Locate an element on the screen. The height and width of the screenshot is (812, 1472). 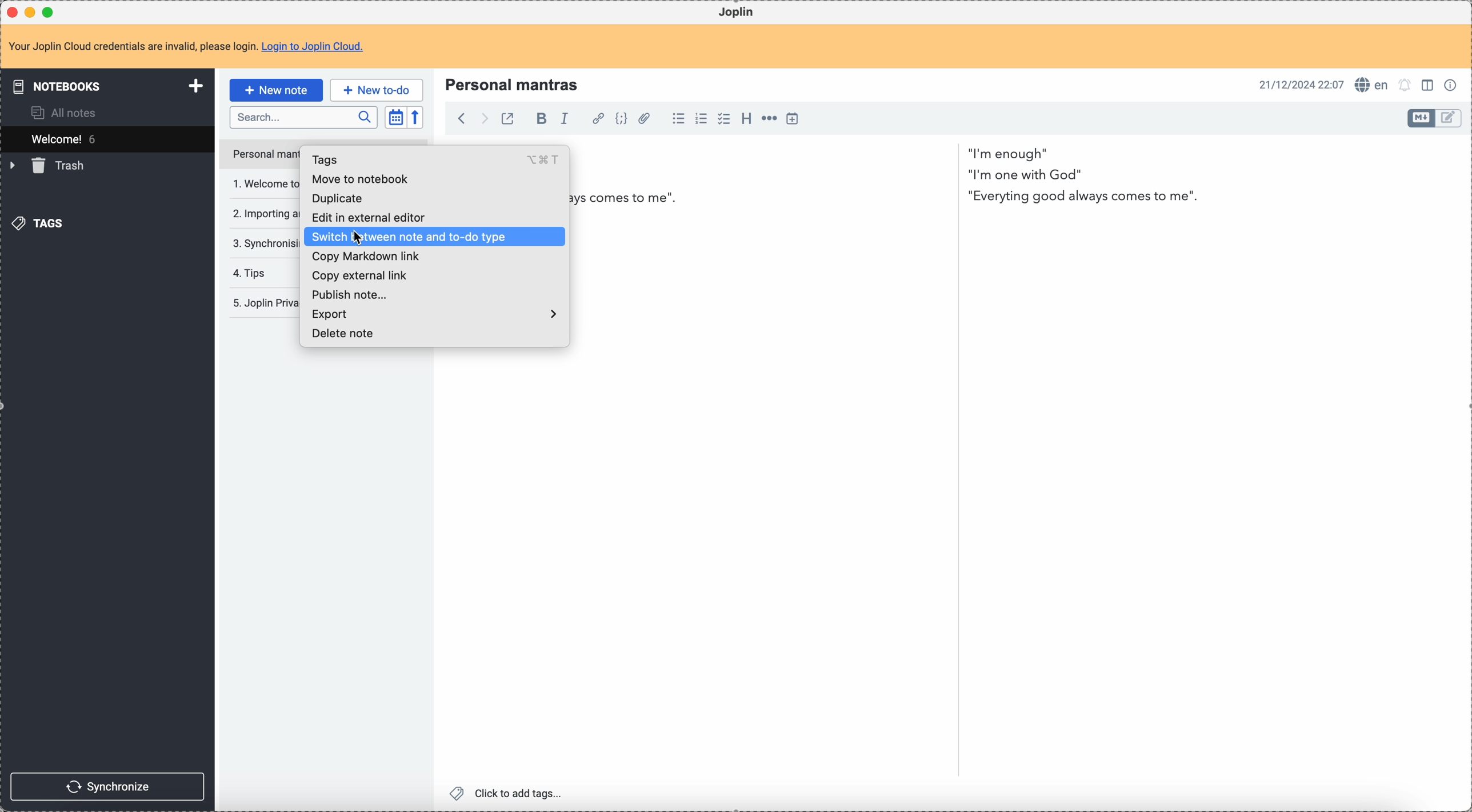
cursor is located at coordinates (366, 237).